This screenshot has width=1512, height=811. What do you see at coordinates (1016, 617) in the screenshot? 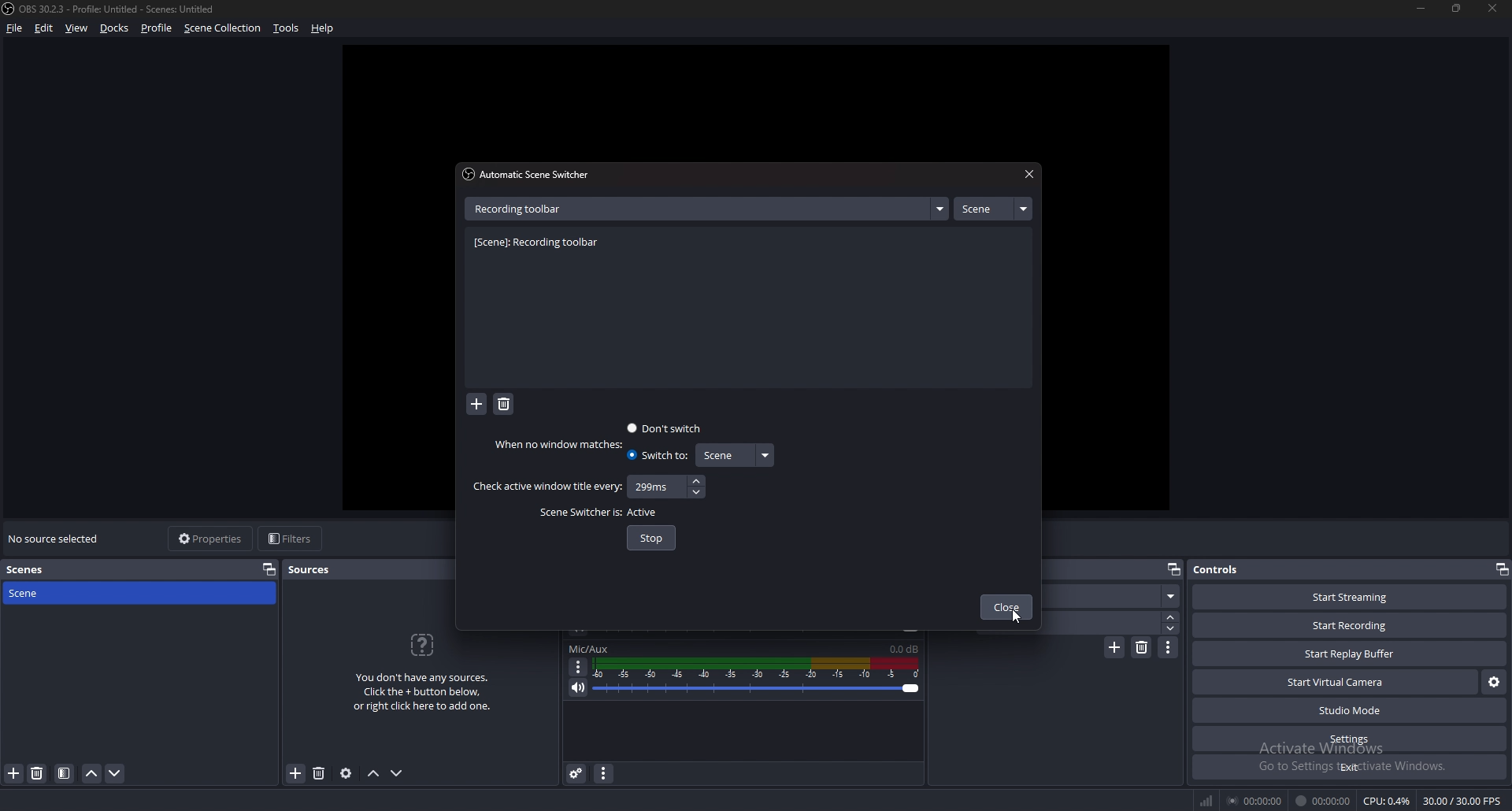
I see `cursor` at bounding box center [1016, 617].